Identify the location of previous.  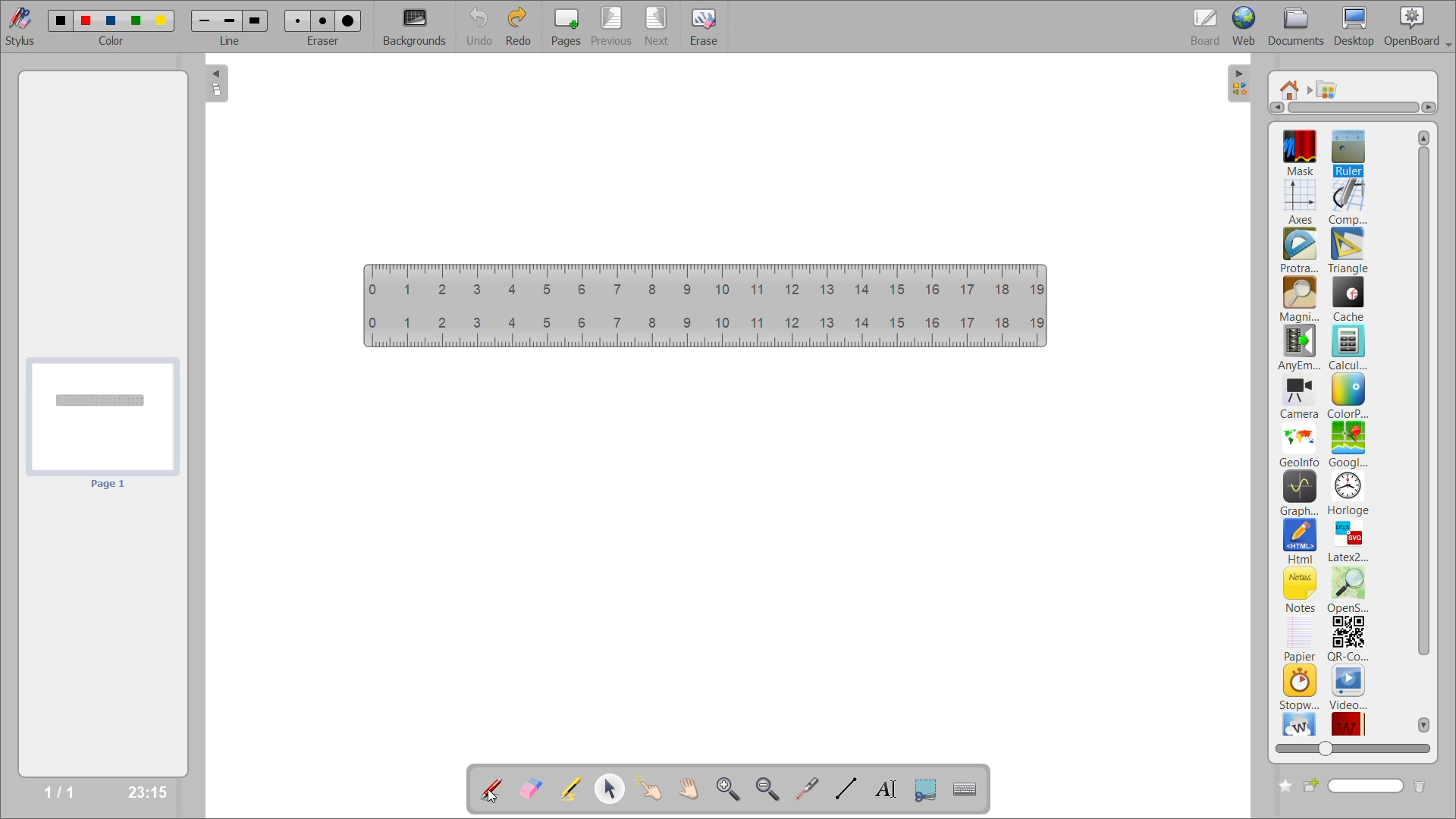
(612, 25).